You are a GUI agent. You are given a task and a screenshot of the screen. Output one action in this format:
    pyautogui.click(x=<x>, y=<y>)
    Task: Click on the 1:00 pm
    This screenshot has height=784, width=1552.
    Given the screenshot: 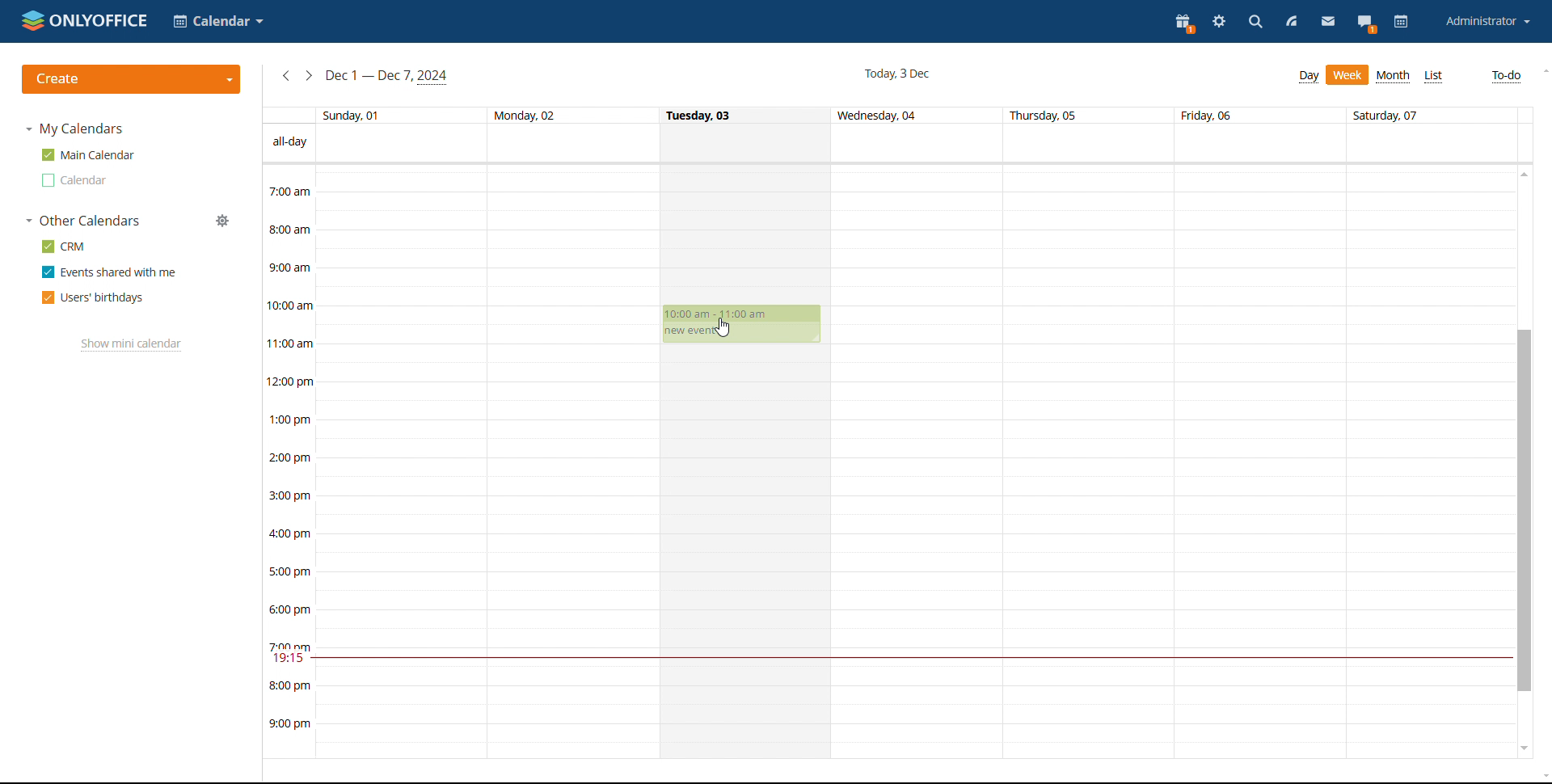 What is the action you would take?
    pyautogui.click(x=291, y=419)
    